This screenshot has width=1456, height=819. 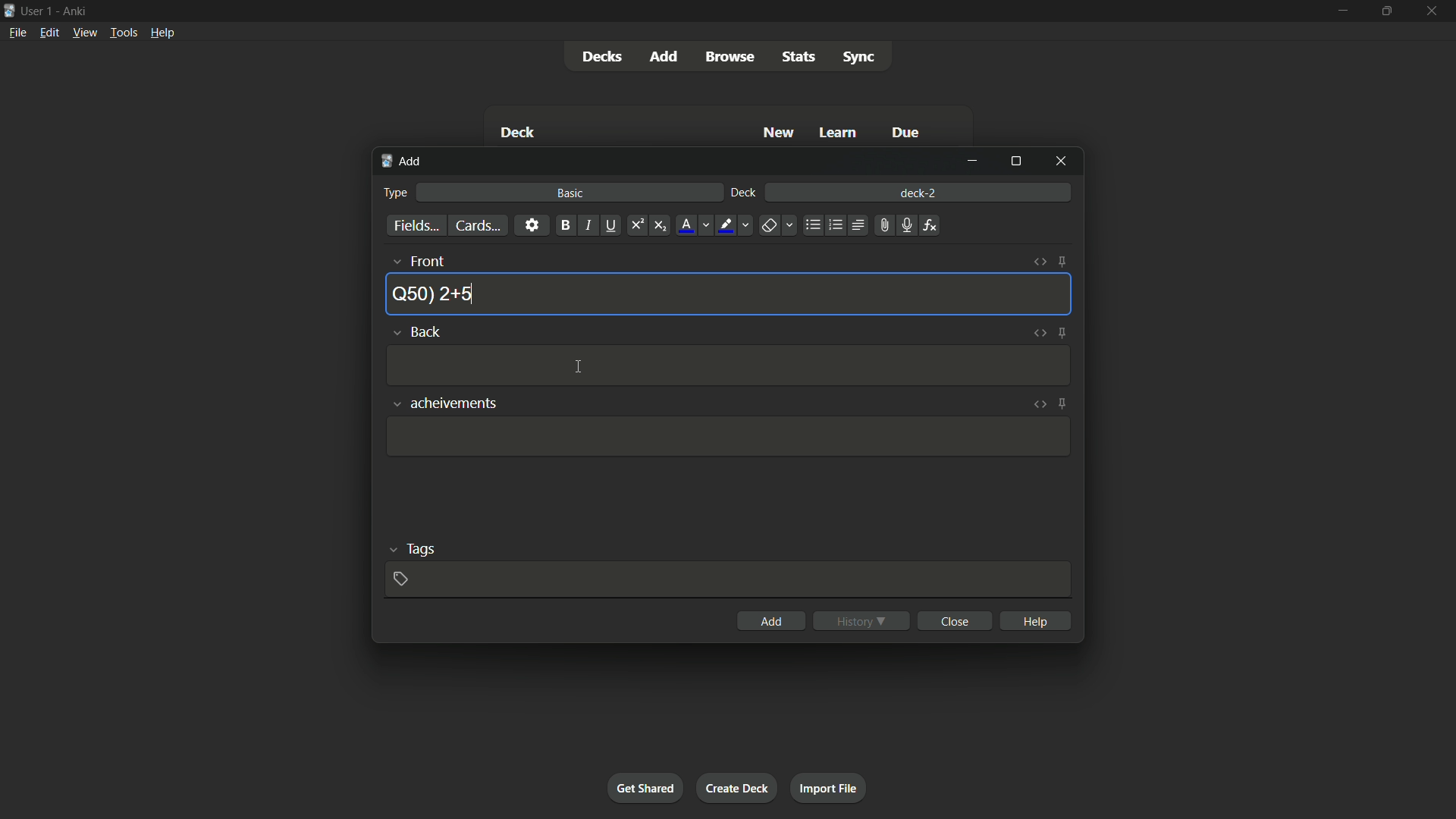 What do you see at coordinates (441, 404) in the screenshot?
I see `achievements` at bounding box center [441, 404].